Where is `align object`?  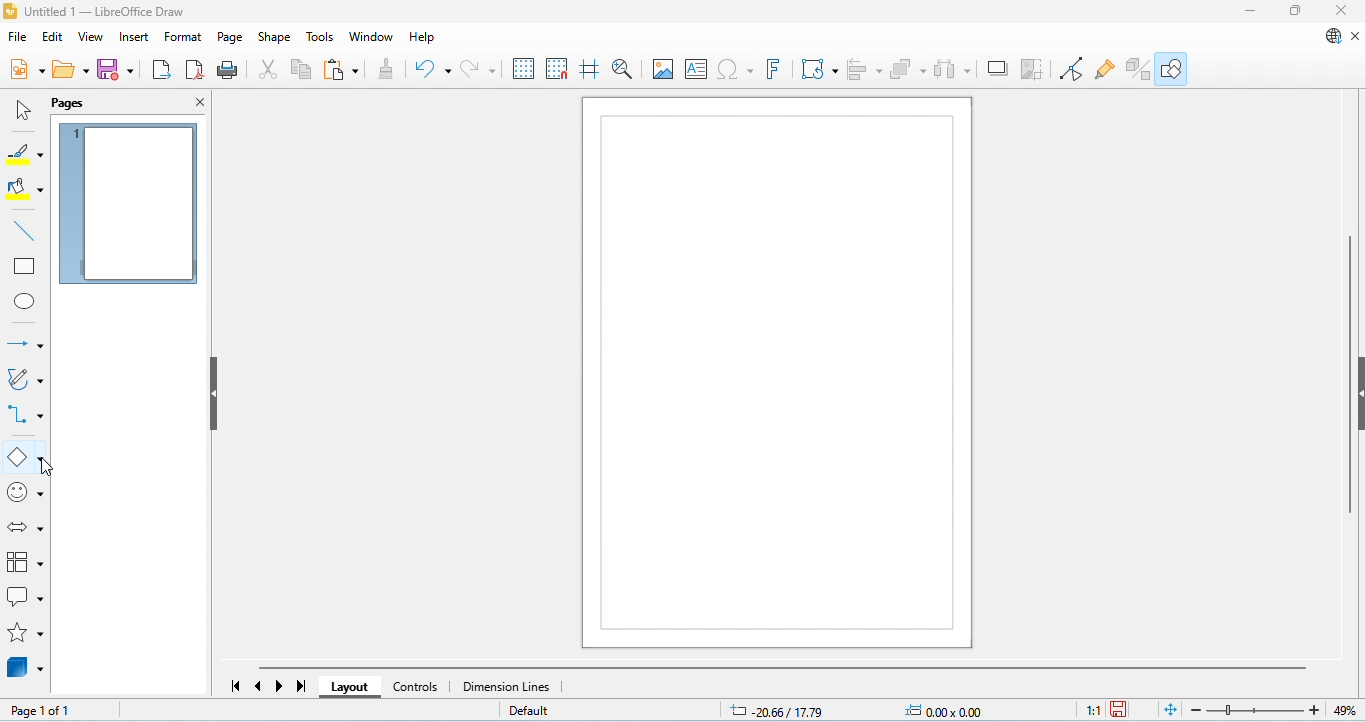
align object is located at coordinates (864, 71).